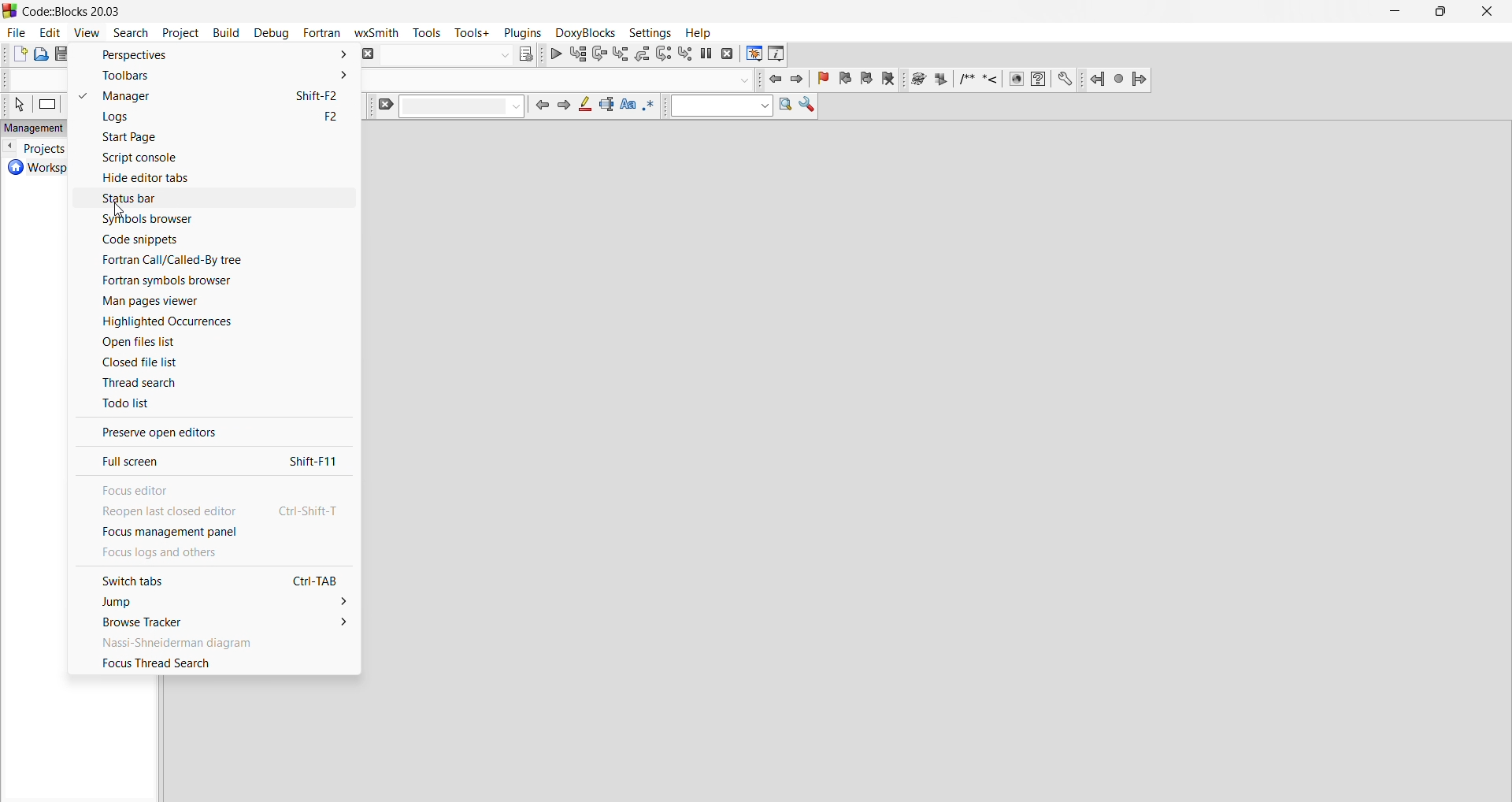 This screenshot has height=802, width=1512. What do you see at coordinates (216, 117) in the screenshot?
I see `logs` at bounding box center [216, 117].